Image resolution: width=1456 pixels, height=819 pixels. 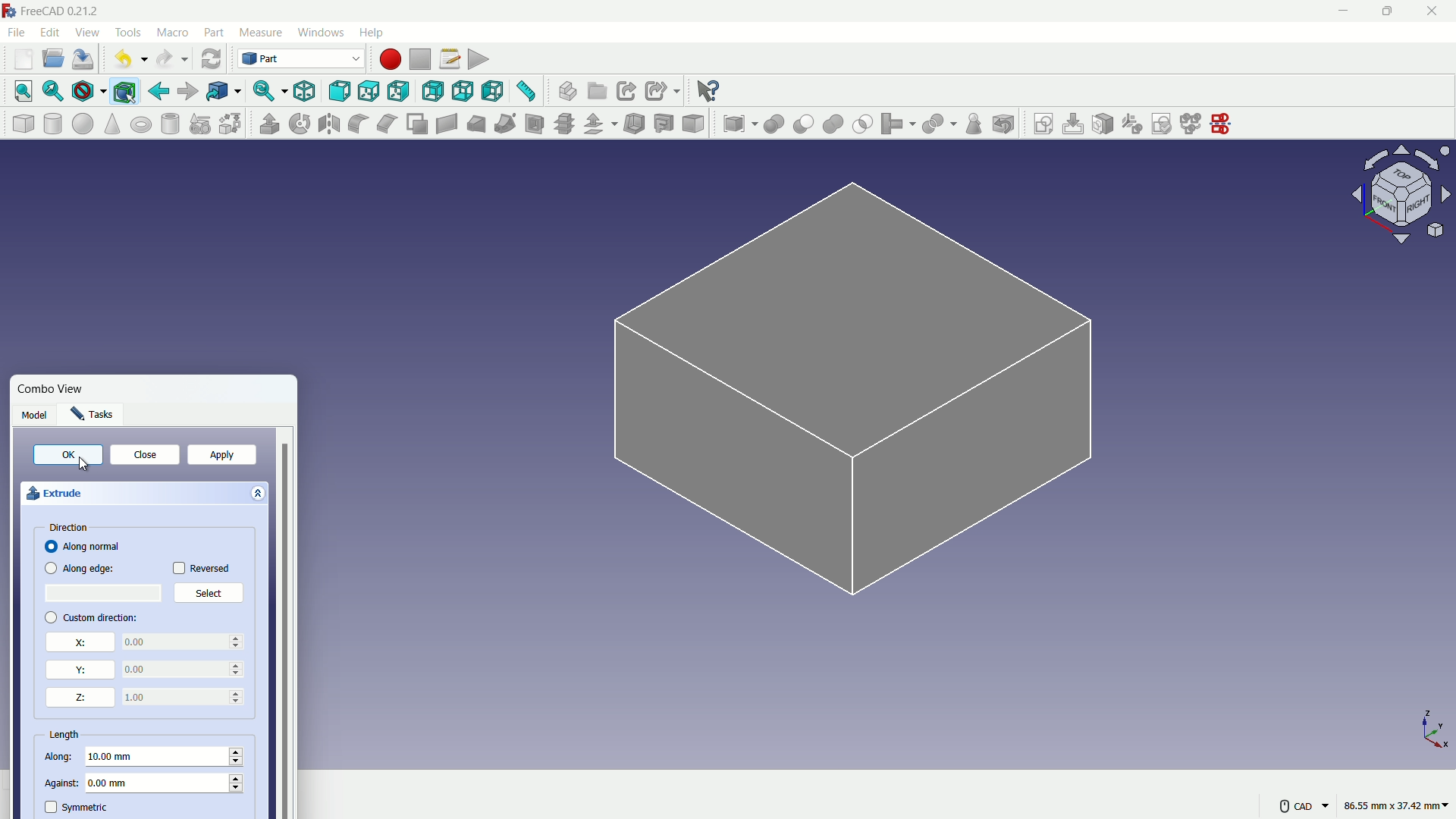 What do you see at coordinates (270, 123) in the screenshot?
I see `extrude` at bounding box center [270, 123].